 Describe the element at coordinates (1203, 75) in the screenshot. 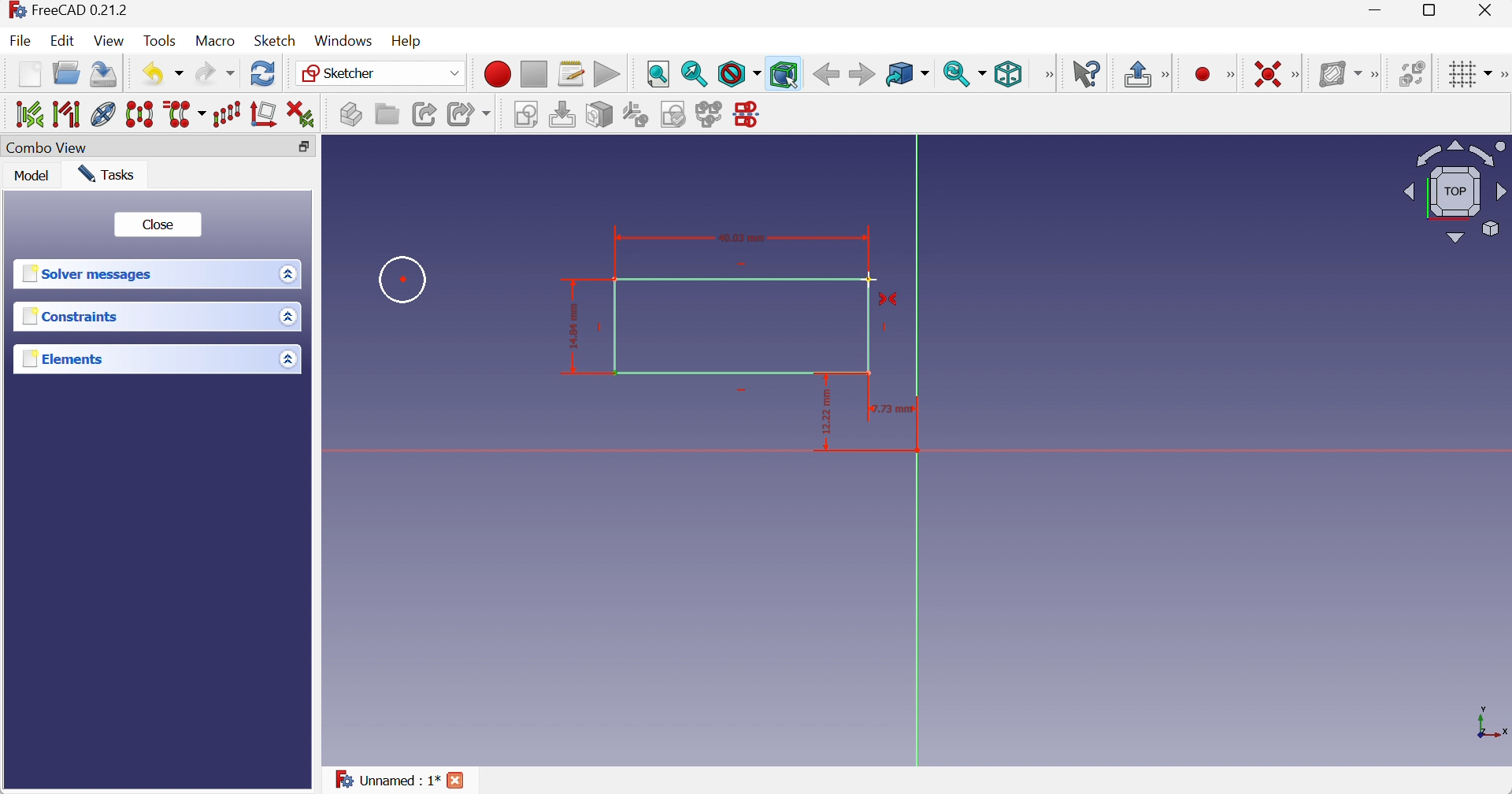

I see `Create point` at that location.